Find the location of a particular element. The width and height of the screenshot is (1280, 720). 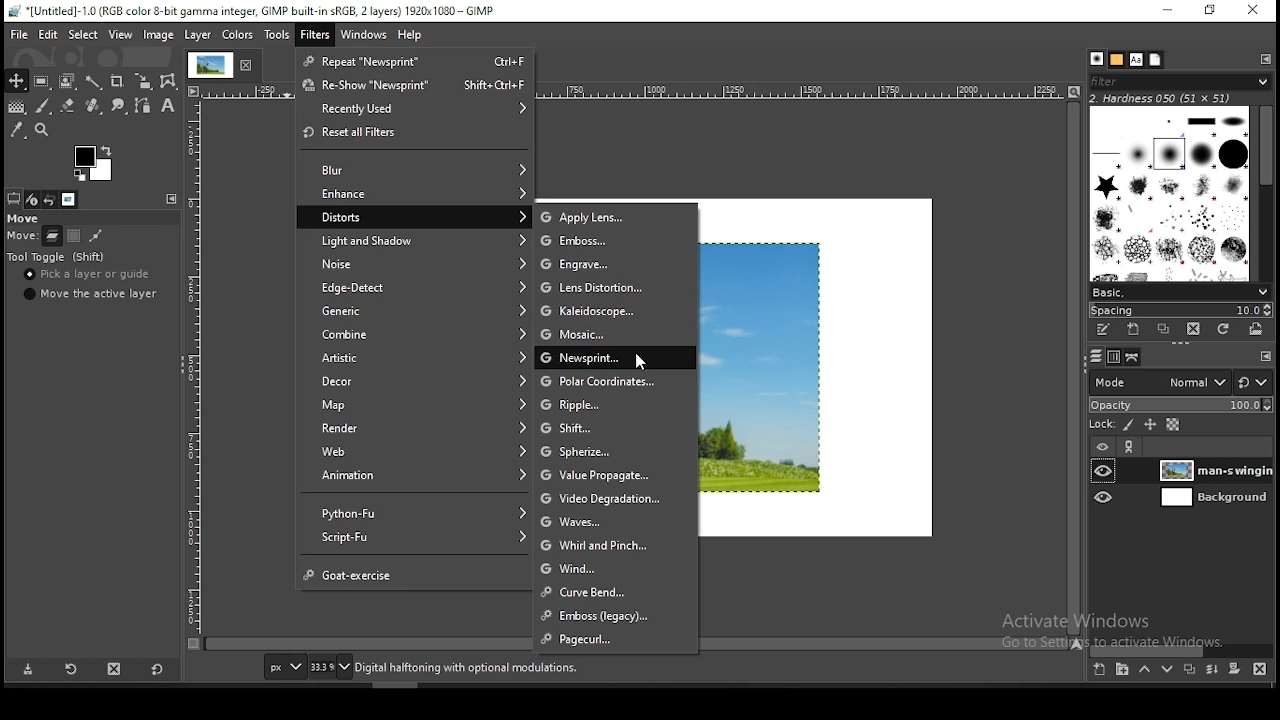

pagecurl is located at coordinates (615, 642).